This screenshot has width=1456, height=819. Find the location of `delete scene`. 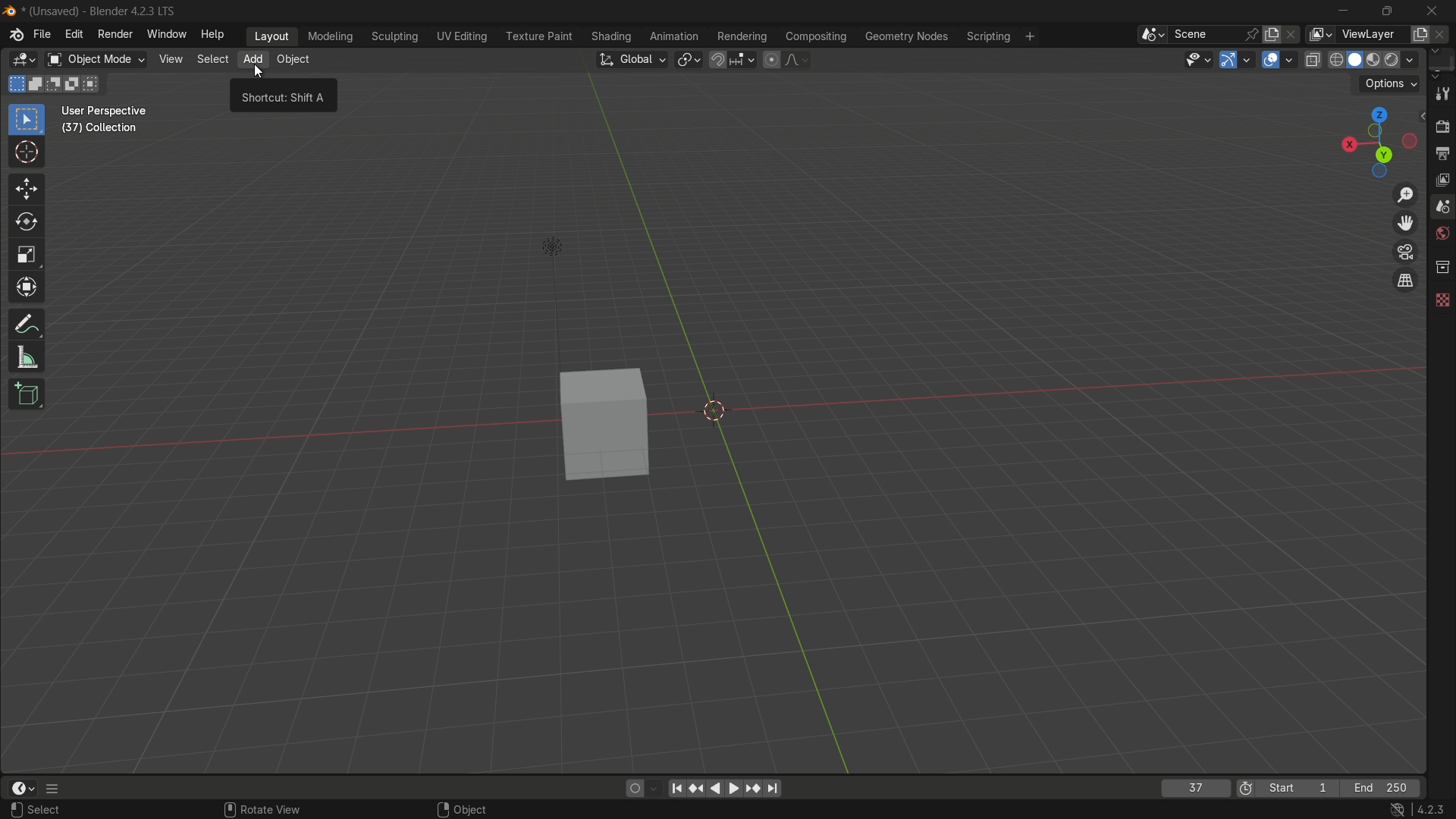

delete scene is located at coordinates (1297, 36).